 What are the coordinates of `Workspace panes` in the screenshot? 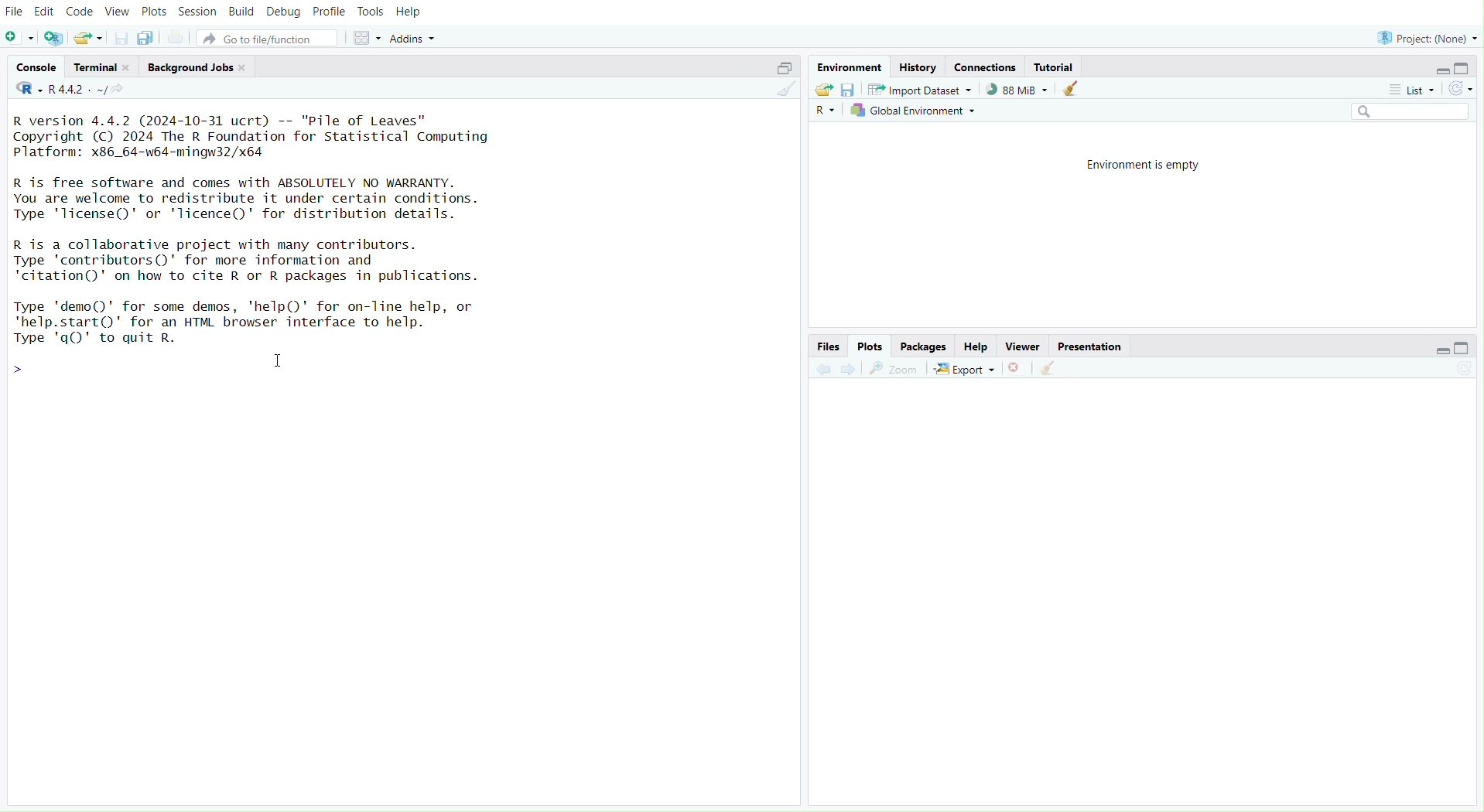 It's located at (364, 39).